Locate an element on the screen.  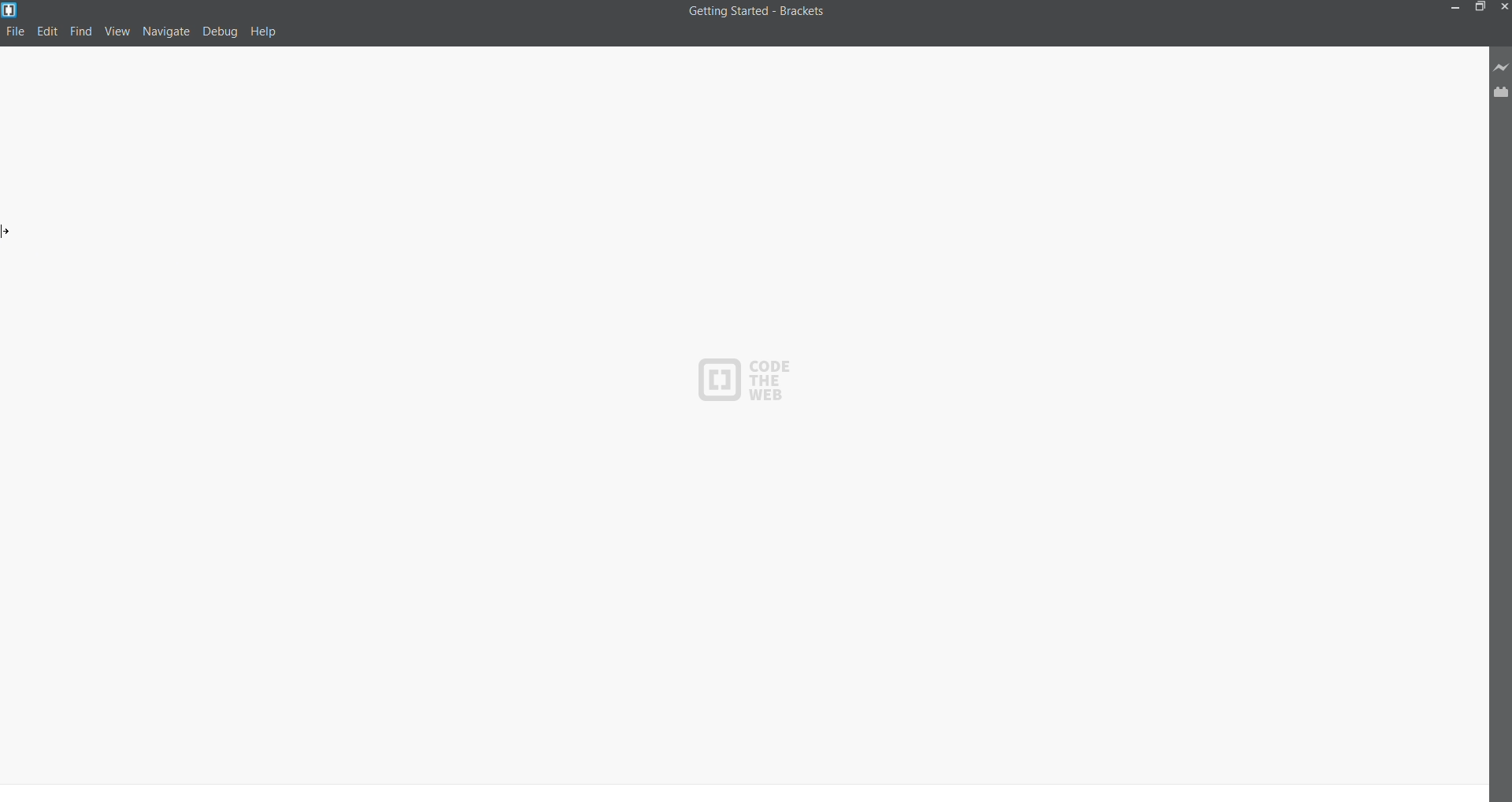
debug is located at coordinates (220, 32).